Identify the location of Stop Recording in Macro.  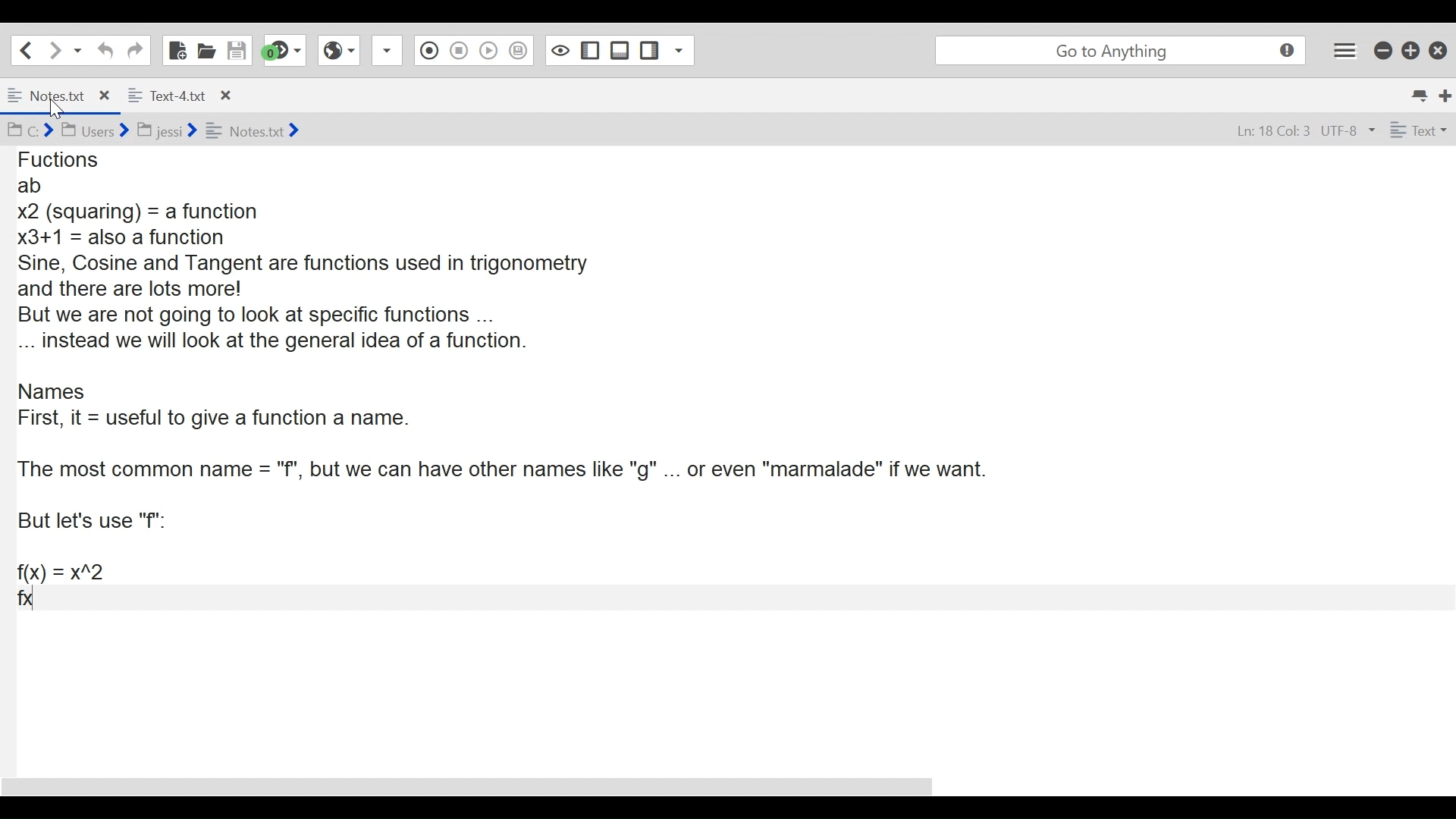
(458, 52).